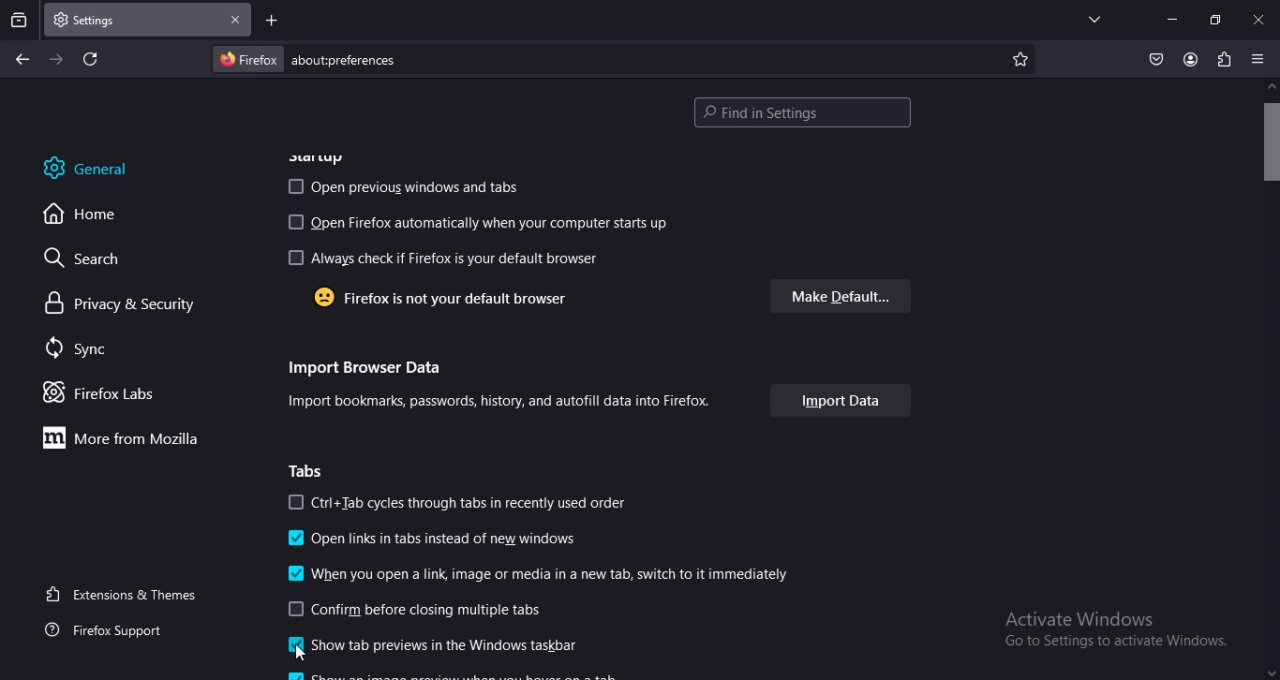 The image size is (1280, 680). Describe the element at coordinates (1225, 58) in the screenshot. I see `extensions` at that location.